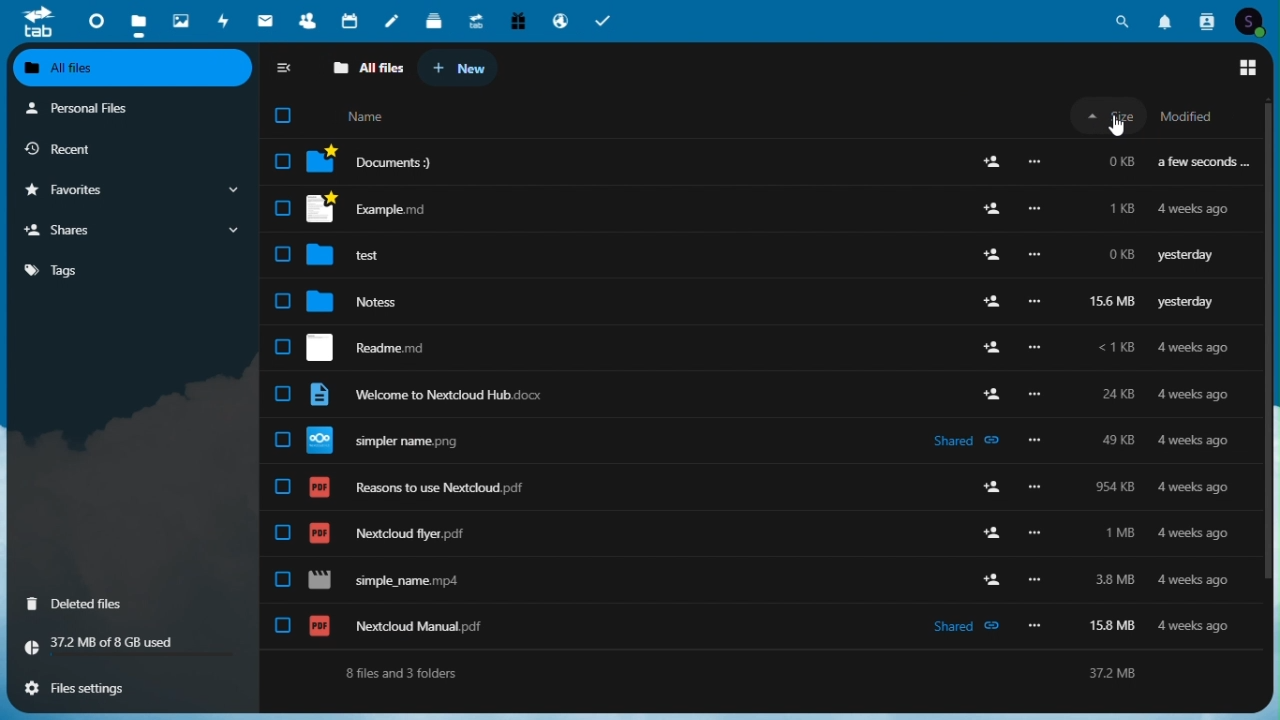 Image resolution: width=1280 pixels, height=720 pixels. I want to click on Nextcloud flyer pif, so click(752, 352).